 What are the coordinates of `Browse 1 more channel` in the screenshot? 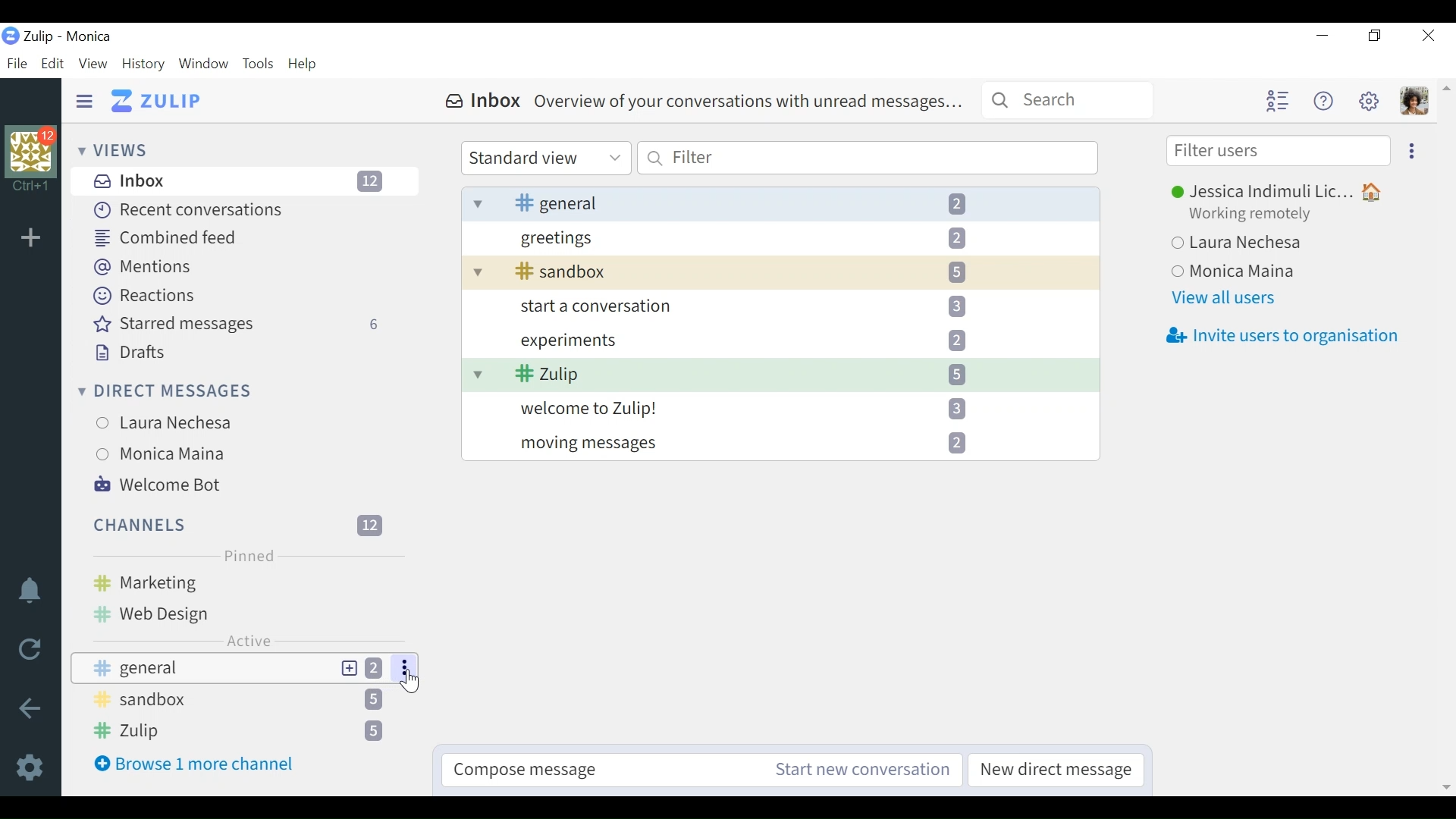 It's located at (202, 764).